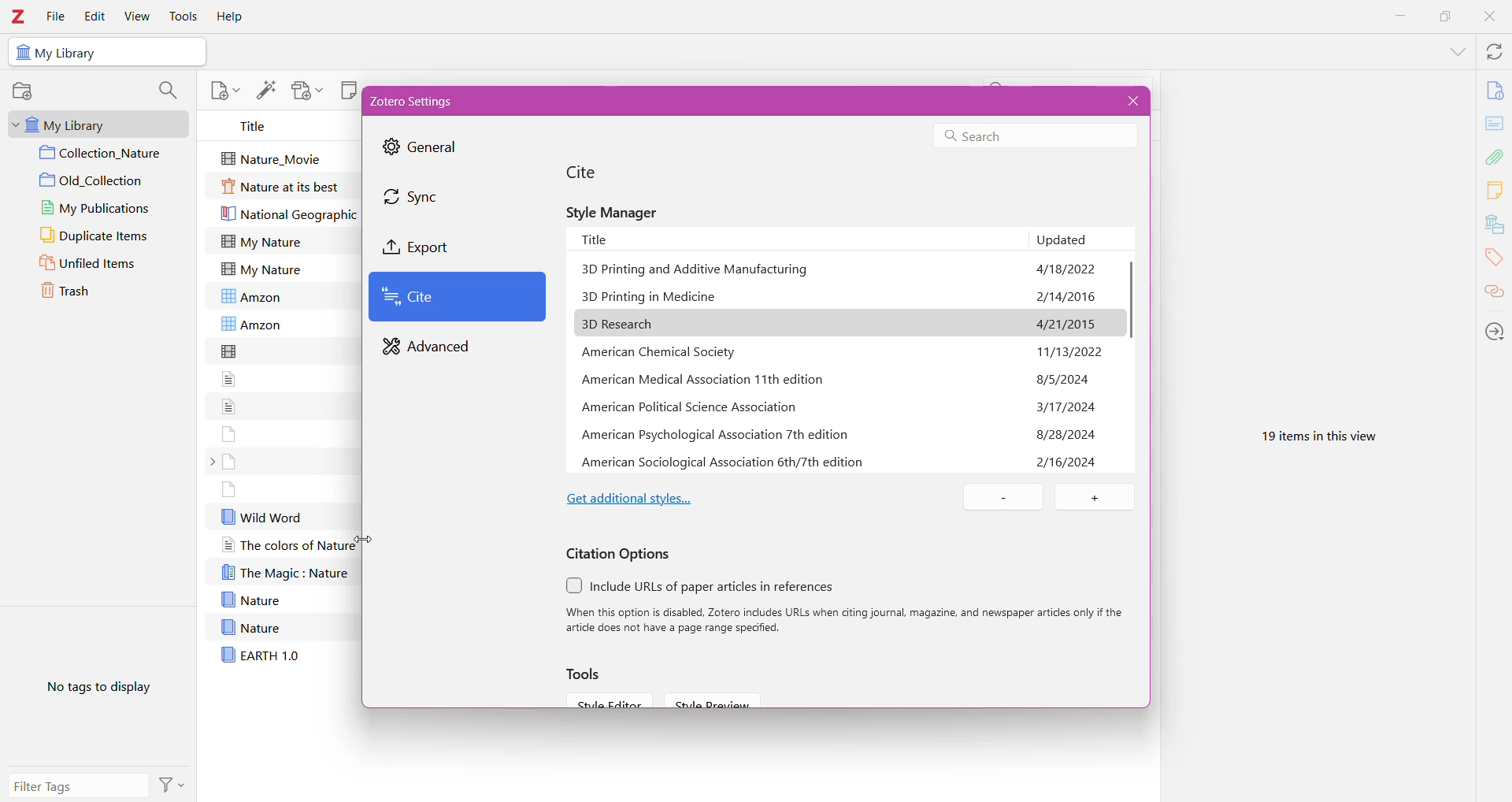  I want to click on Vertical Scroll Bar - Style Manager, so click(1129, 307).